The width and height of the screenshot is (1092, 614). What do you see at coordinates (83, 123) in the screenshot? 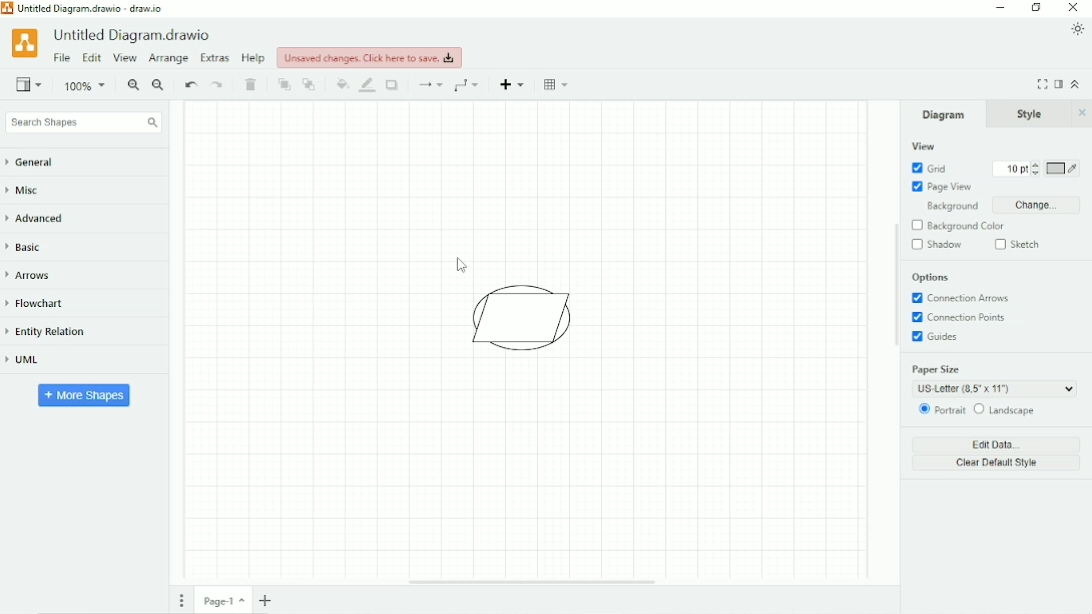
I see `Search shapes` at bounding box center [83, 123].